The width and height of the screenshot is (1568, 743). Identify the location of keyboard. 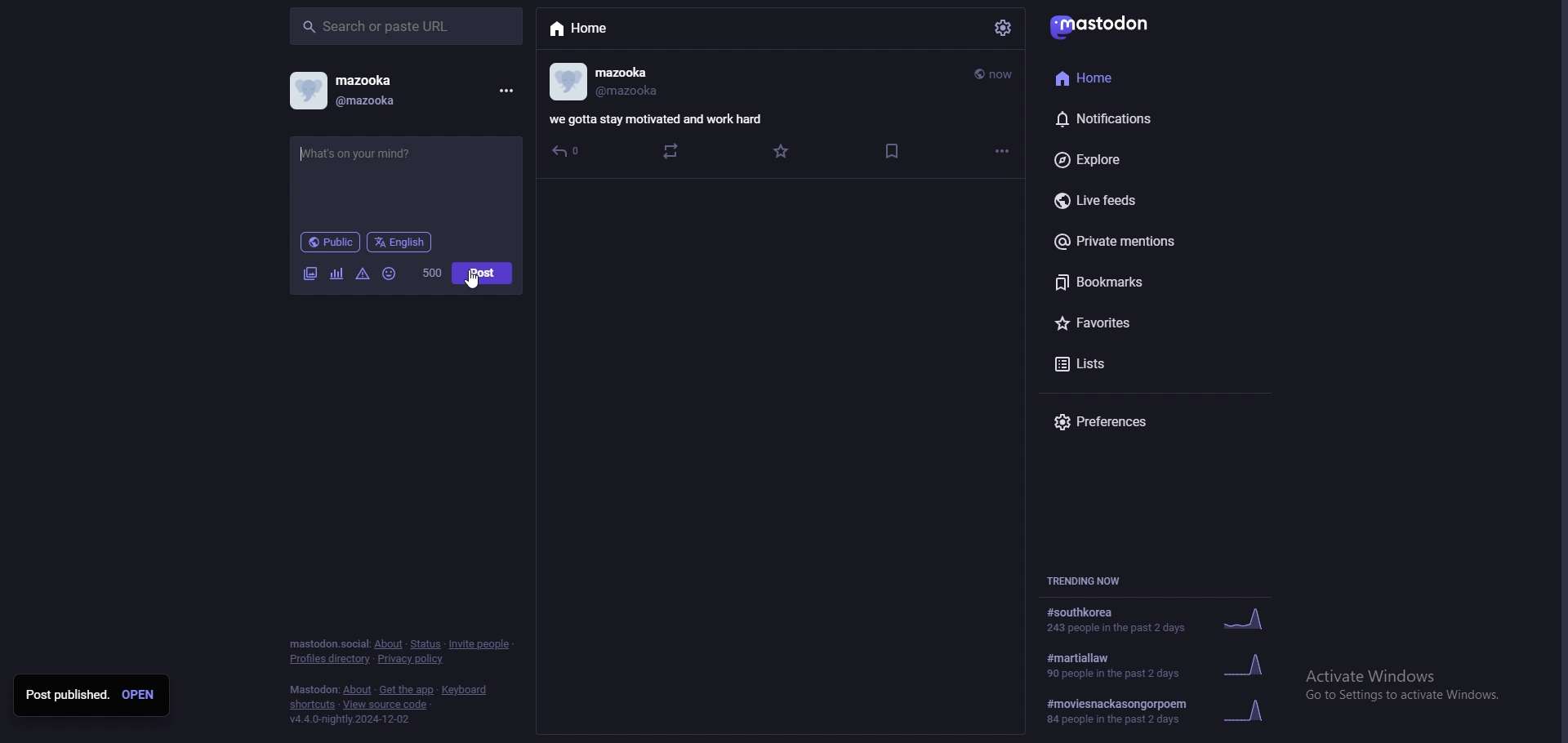
(463, 690).